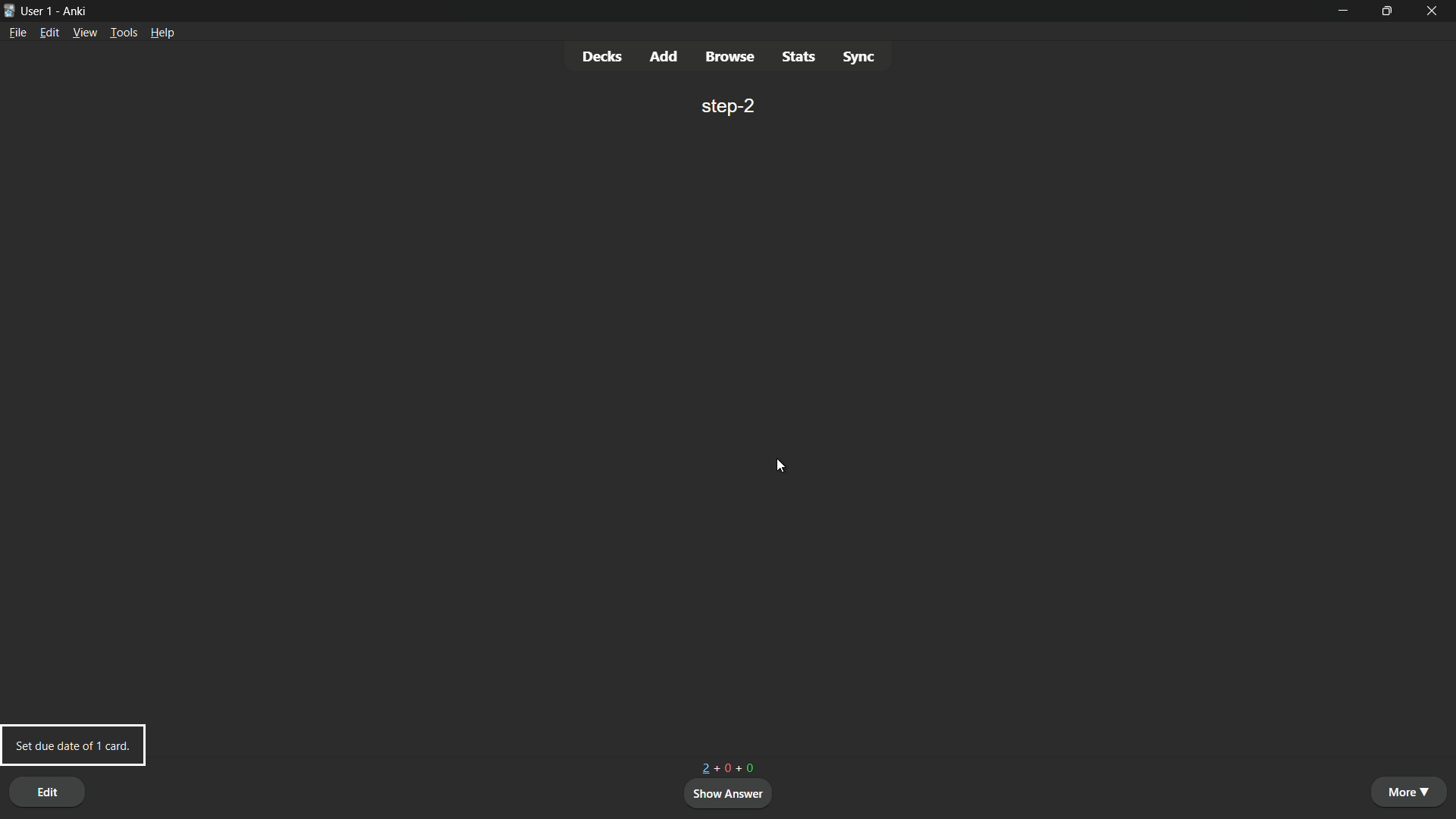 This screenshot has height=819, width=1456. Describe the element at coordinates (665, 56) in the screenshot. I see `add` at that location.